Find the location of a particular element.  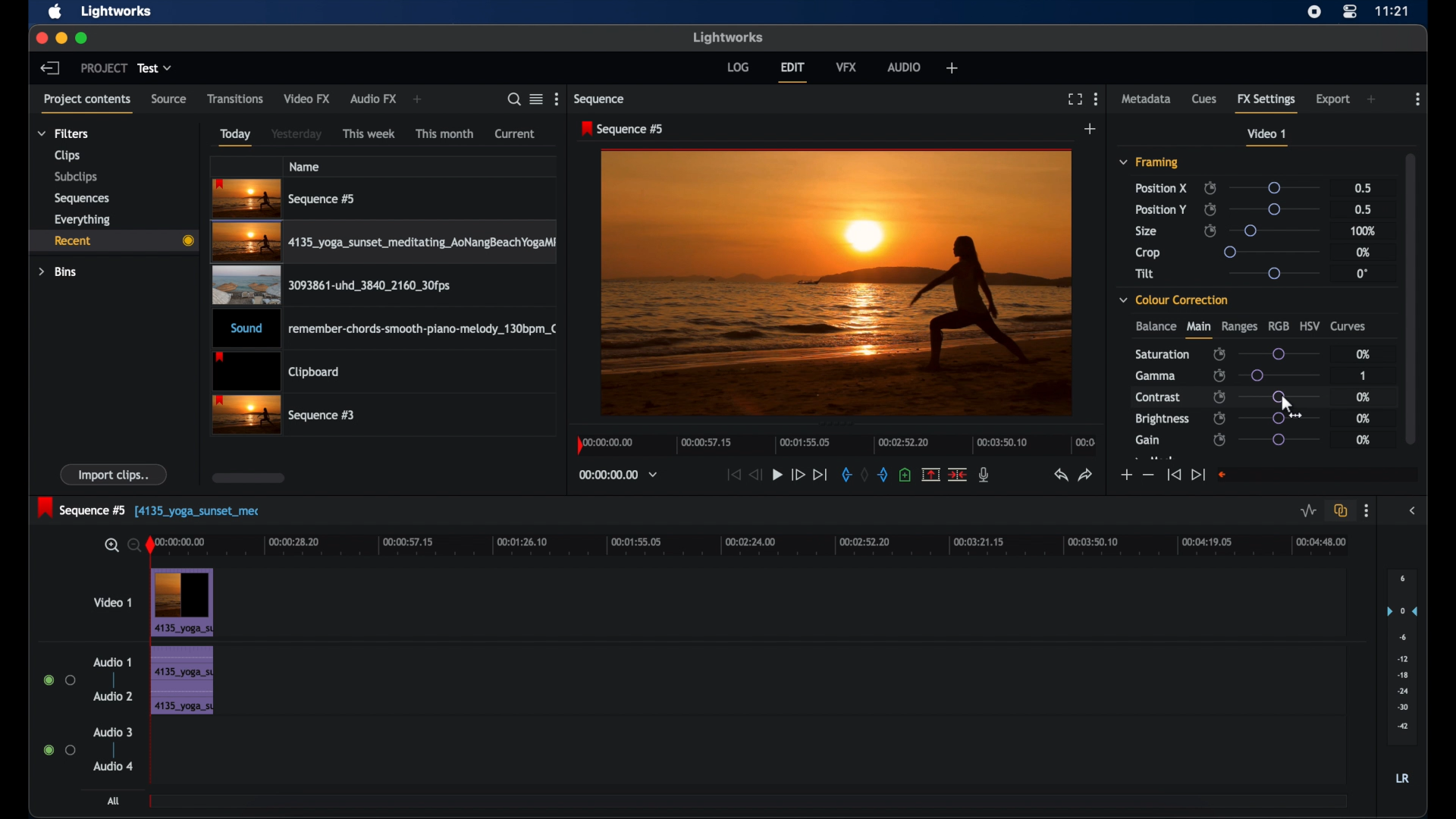

source is located at coordinates (168, 99).